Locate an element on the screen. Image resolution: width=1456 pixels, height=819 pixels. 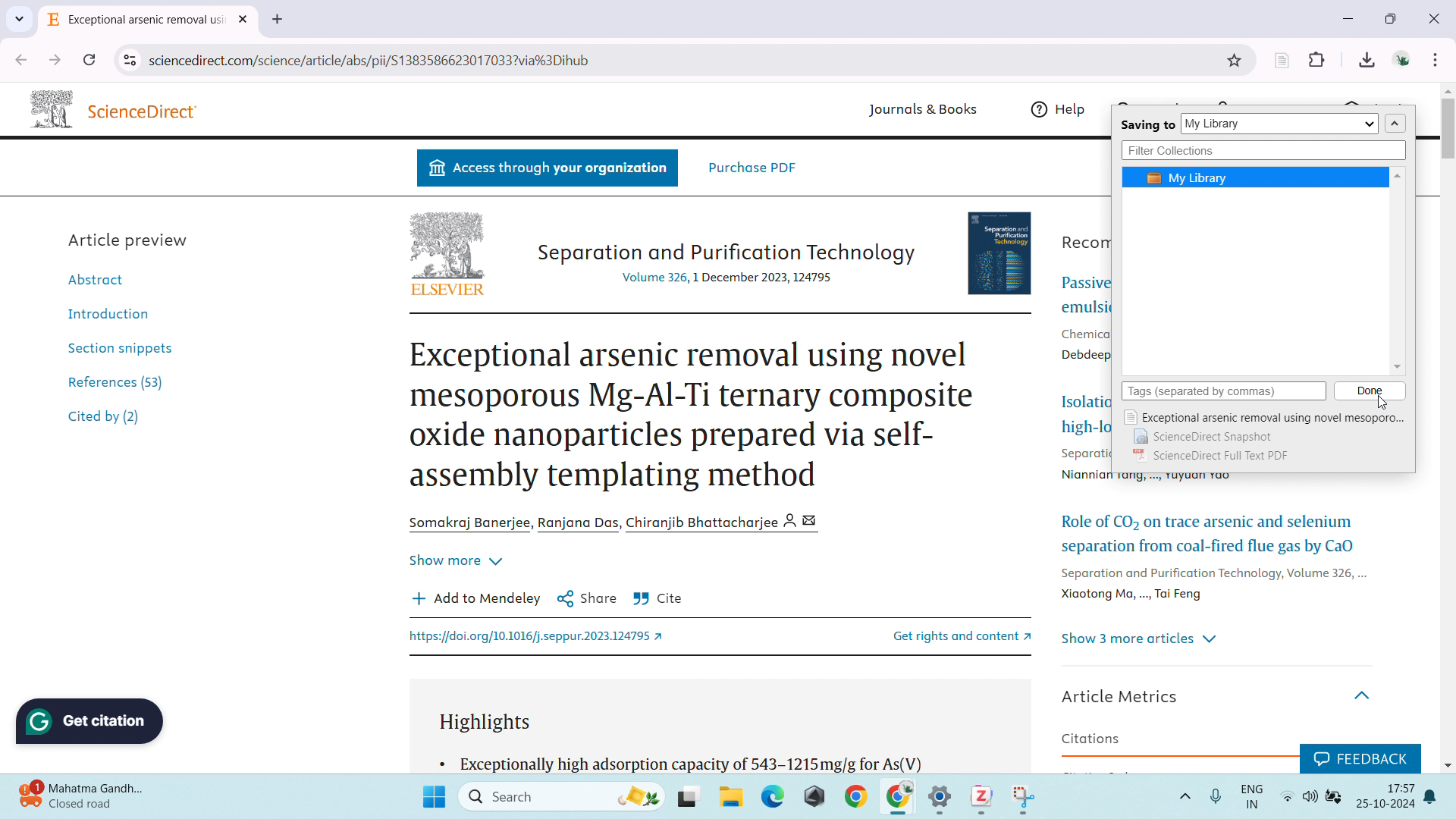
Feedback is located at coordinates (1359, 756).